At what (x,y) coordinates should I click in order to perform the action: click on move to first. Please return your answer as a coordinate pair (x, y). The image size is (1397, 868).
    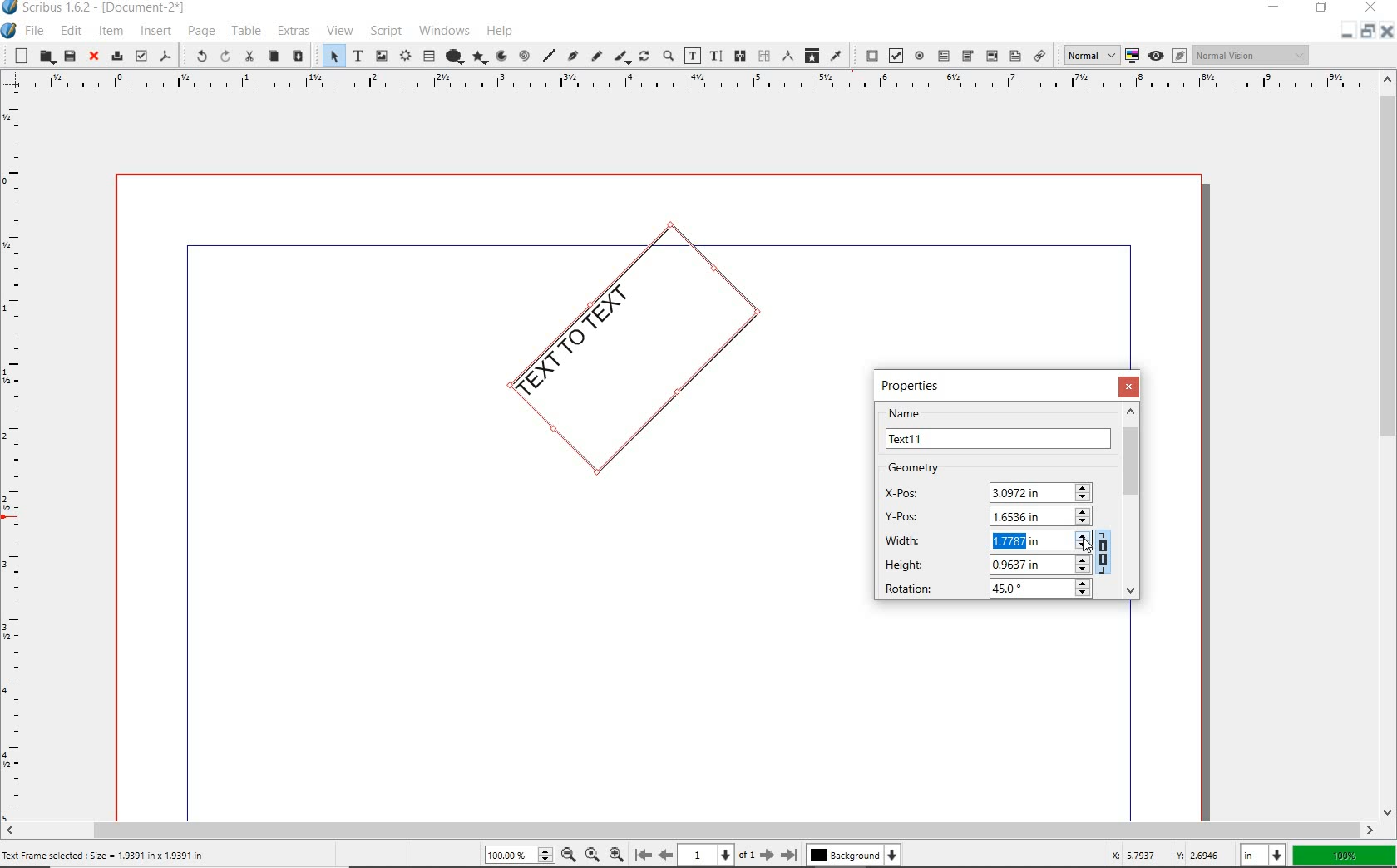
    Looking at the image, I should click on (643, 856).